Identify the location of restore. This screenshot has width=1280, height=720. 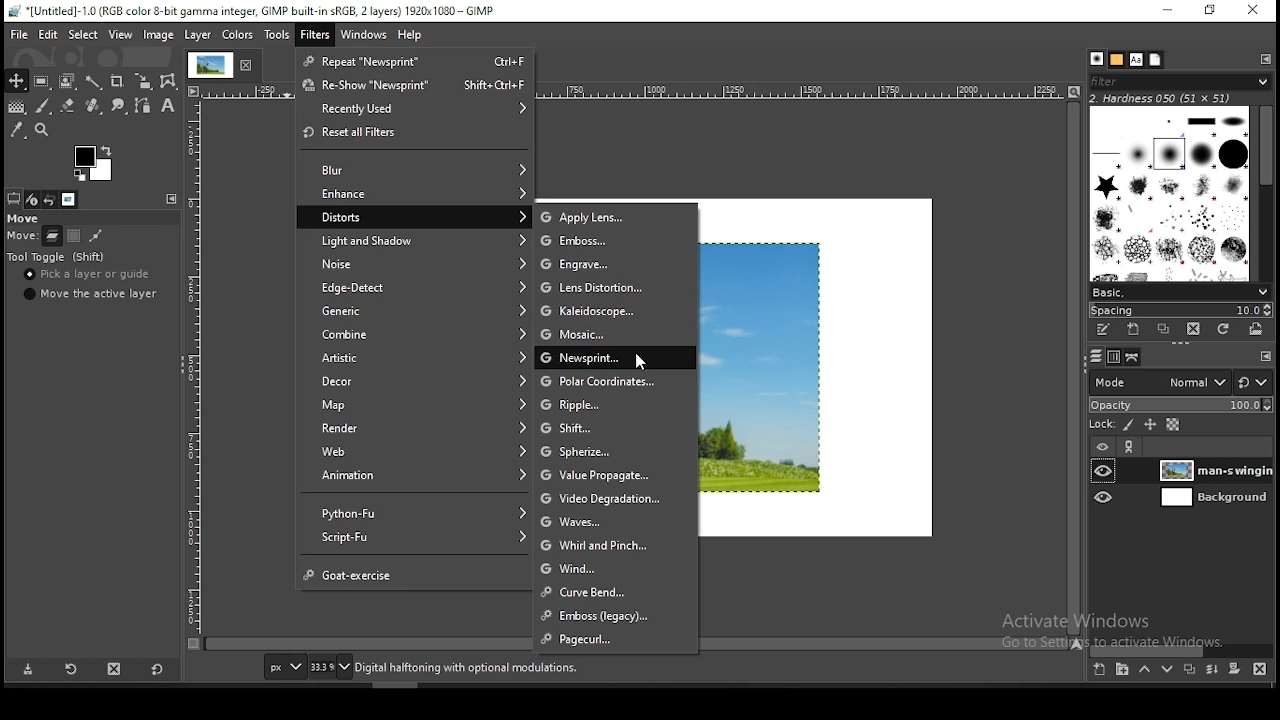
(1212, 11).